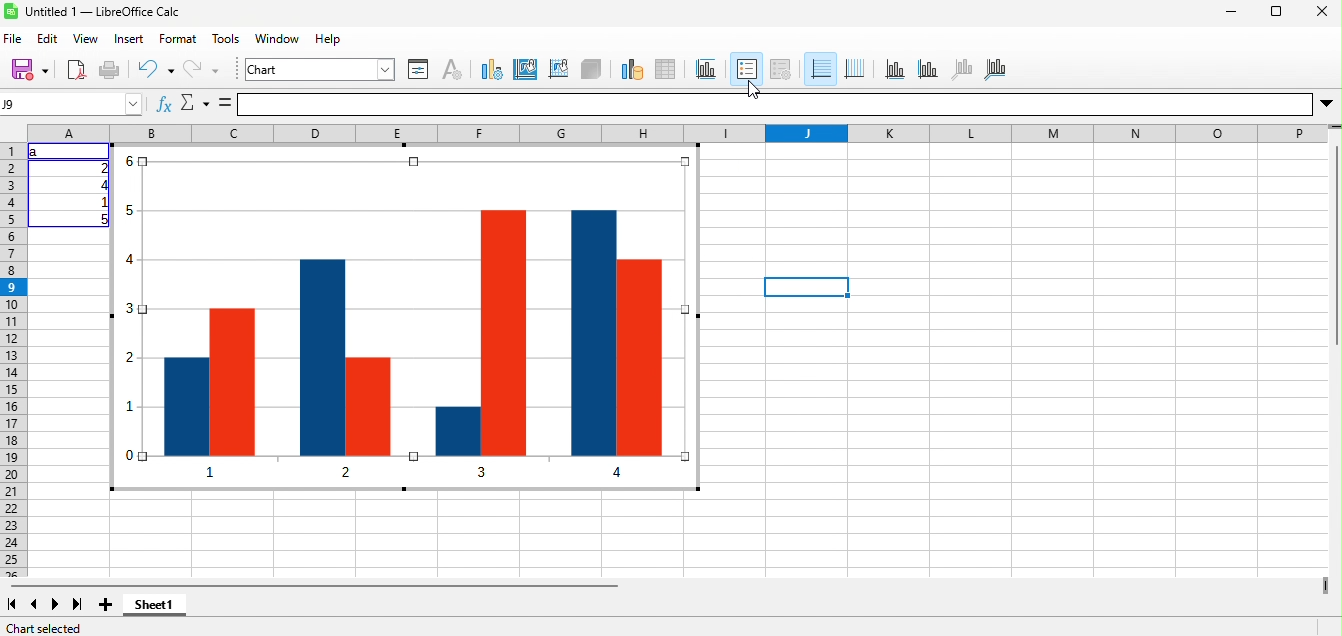 The image size is (1342, 636). I want to click on maximize, so click(1276, 11).